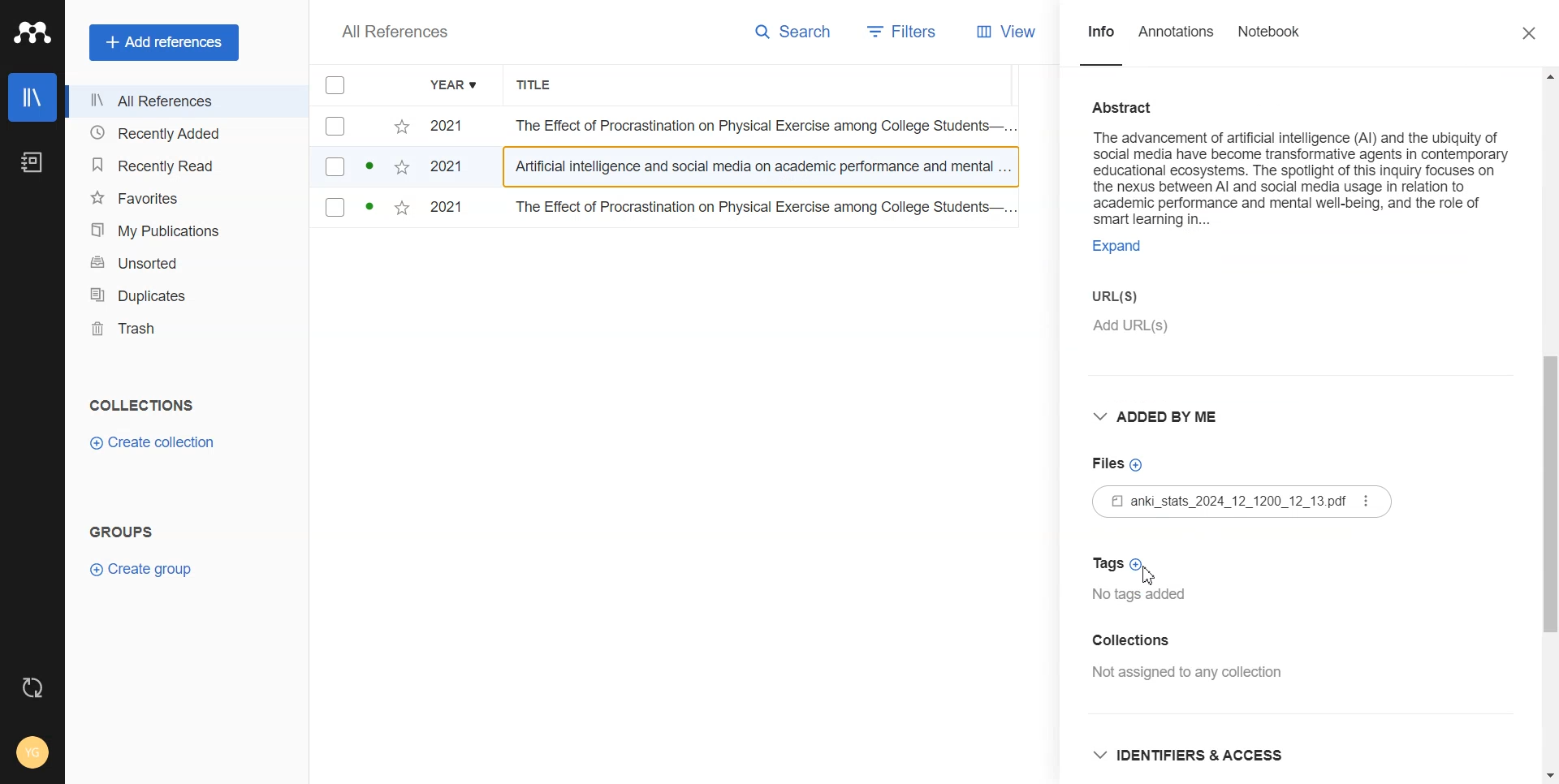 The image size is (1559, 784). Describe the element at coordinates (145, 405) in the screenshot. I see `COLLECTIONS` at that location.